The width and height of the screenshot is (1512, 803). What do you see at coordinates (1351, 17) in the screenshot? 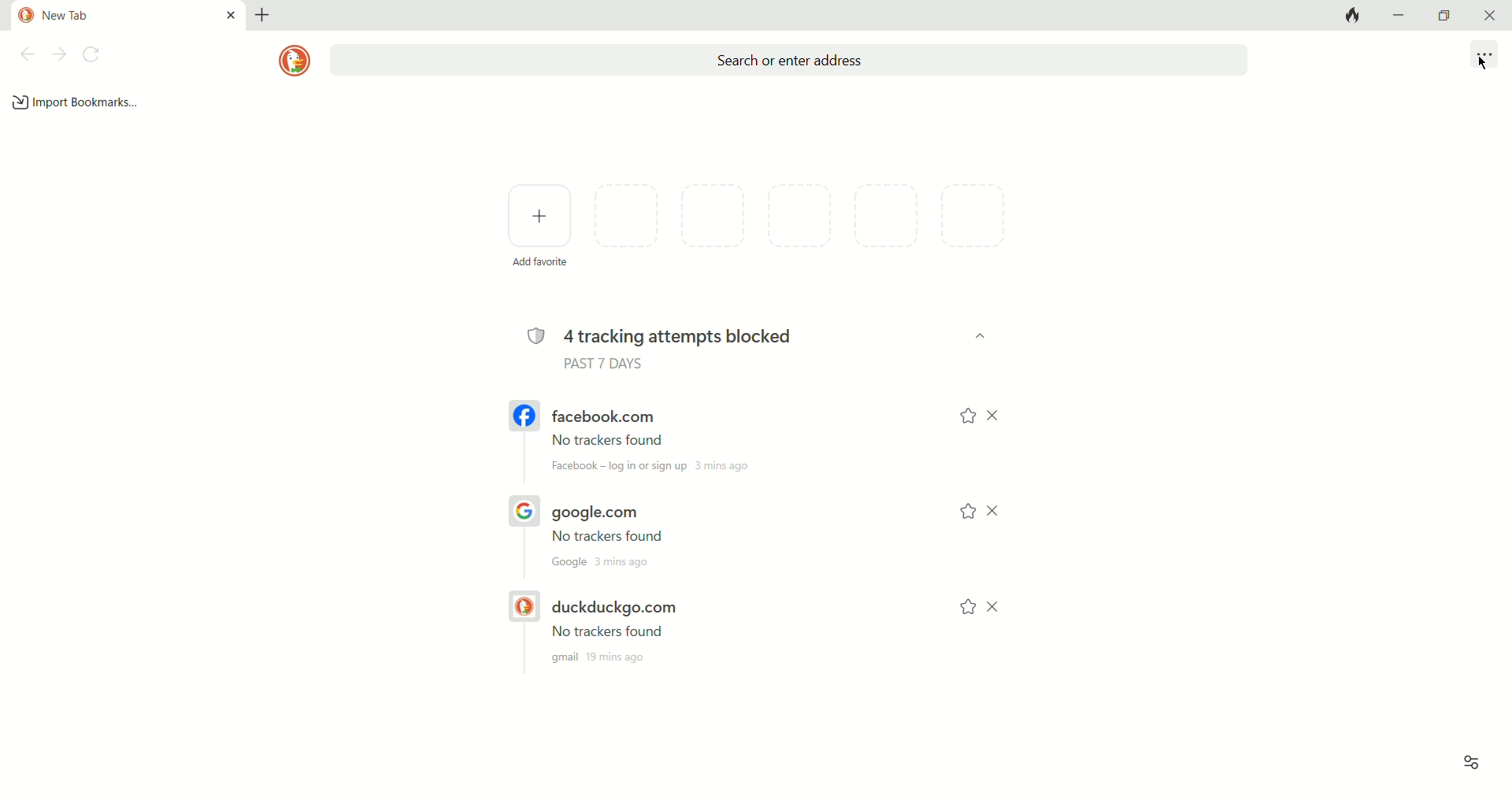
I see `close tab and clear data` at bounding box center [1351, 17].